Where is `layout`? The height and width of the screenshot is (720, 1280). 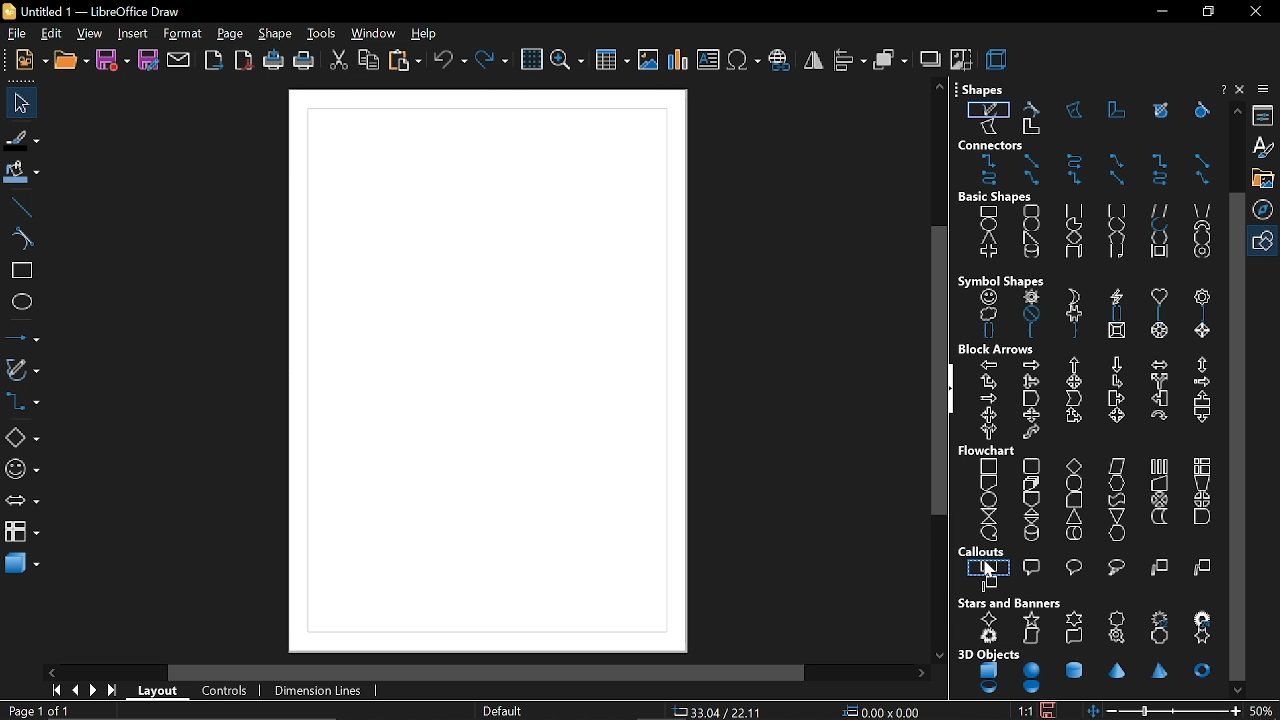 layout is located at coordinates (156, 691).